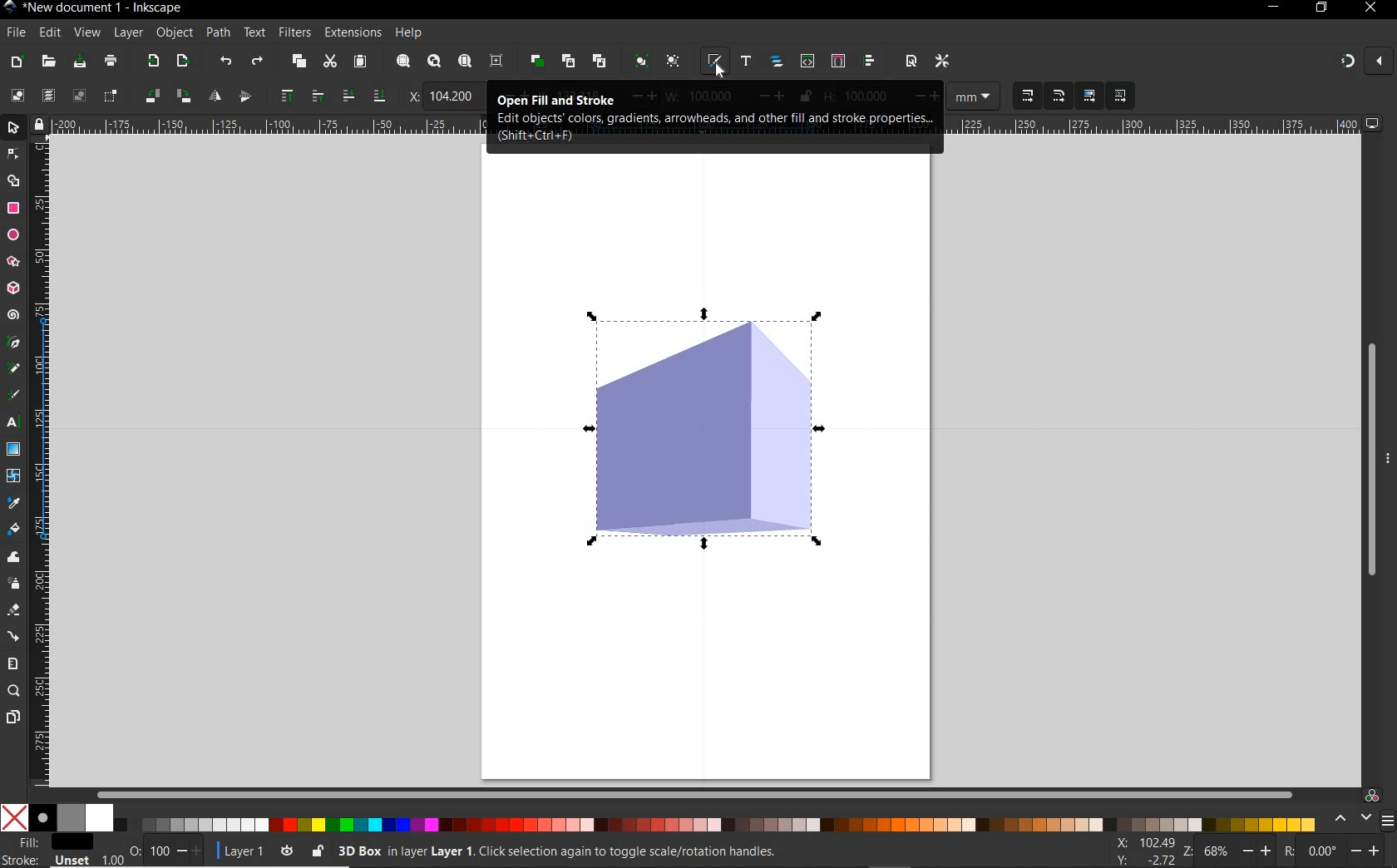  Describe the element at coordinates (211, 95) in the screenshot. I see `OBJECT FLIP` at that location.